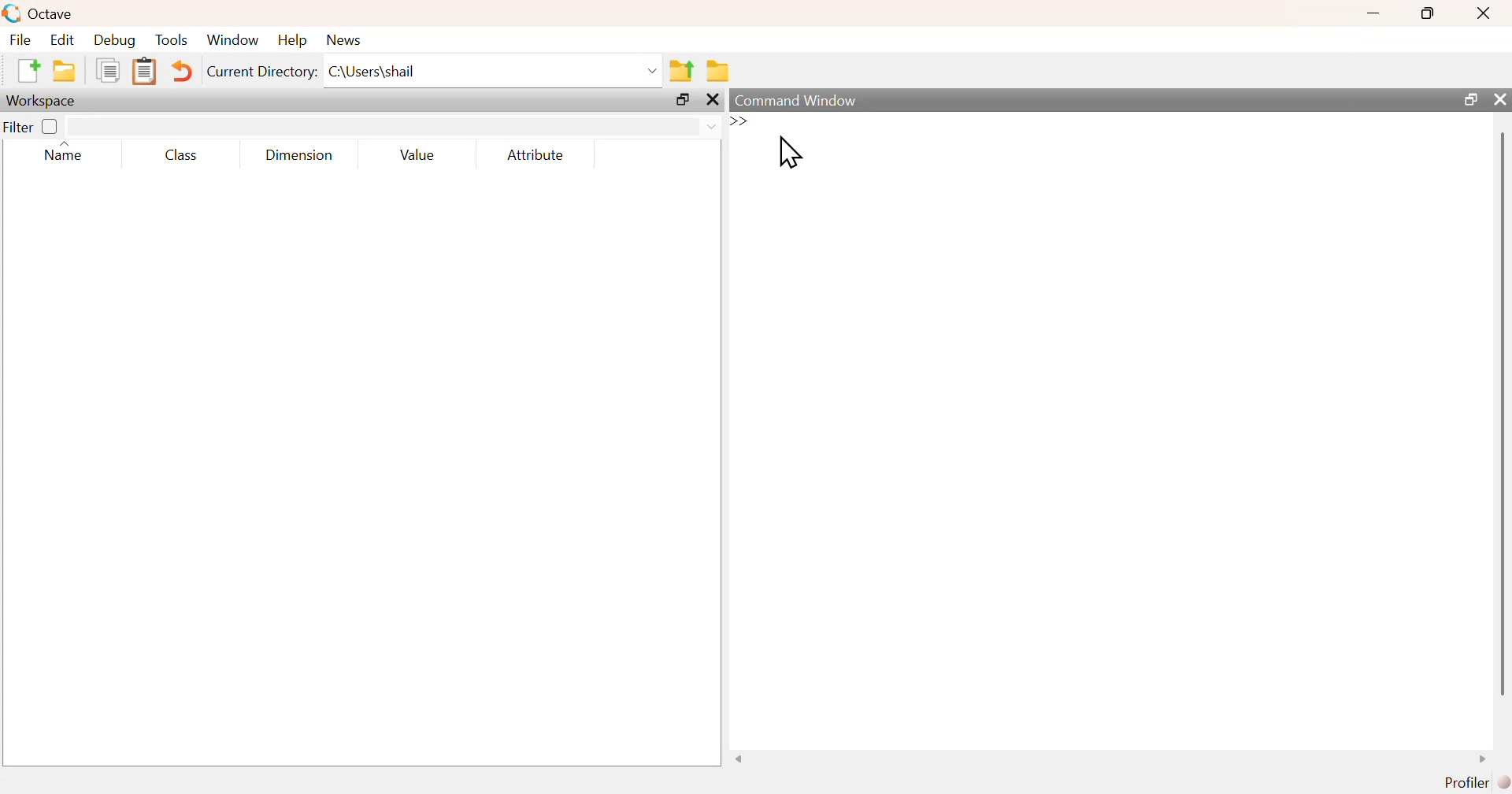 Image resolution: width=1512 pixels, height=794 pixels. I want to click on Folder, so click(718, 71).